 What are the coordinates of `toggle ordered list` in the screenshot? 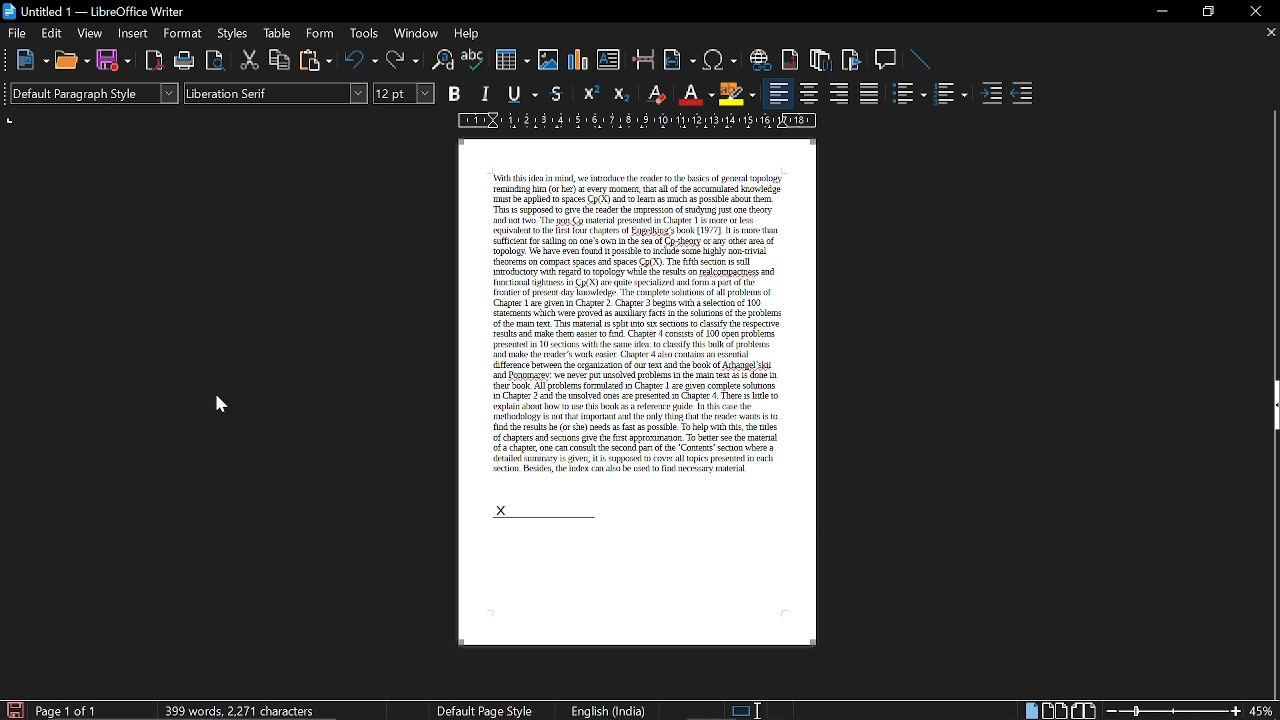 It's located at (953, 94).